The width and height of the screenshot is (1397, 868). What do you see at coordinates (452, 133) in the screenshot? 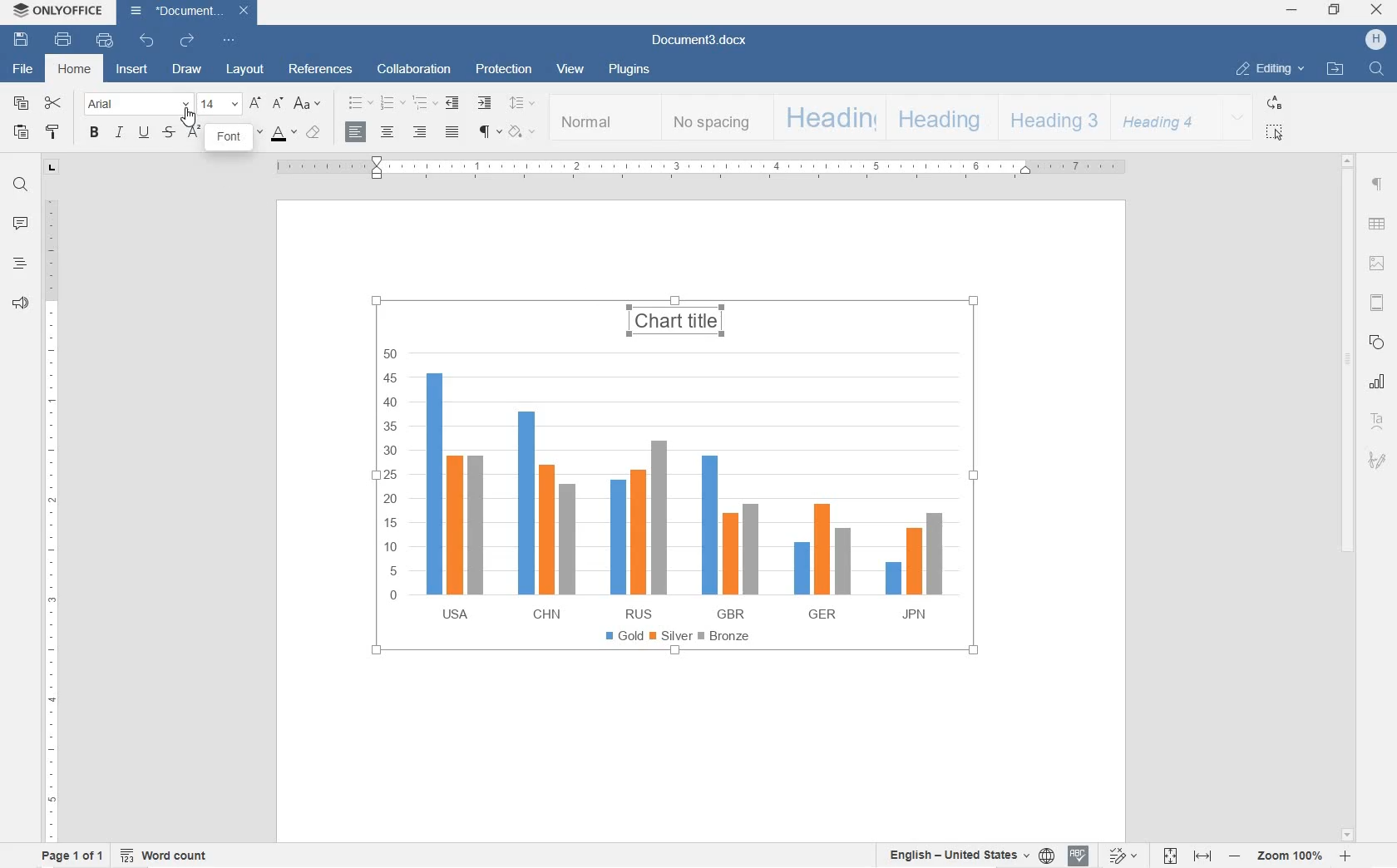
I see `JUSTIFIED` at bounding box center [452, 133].